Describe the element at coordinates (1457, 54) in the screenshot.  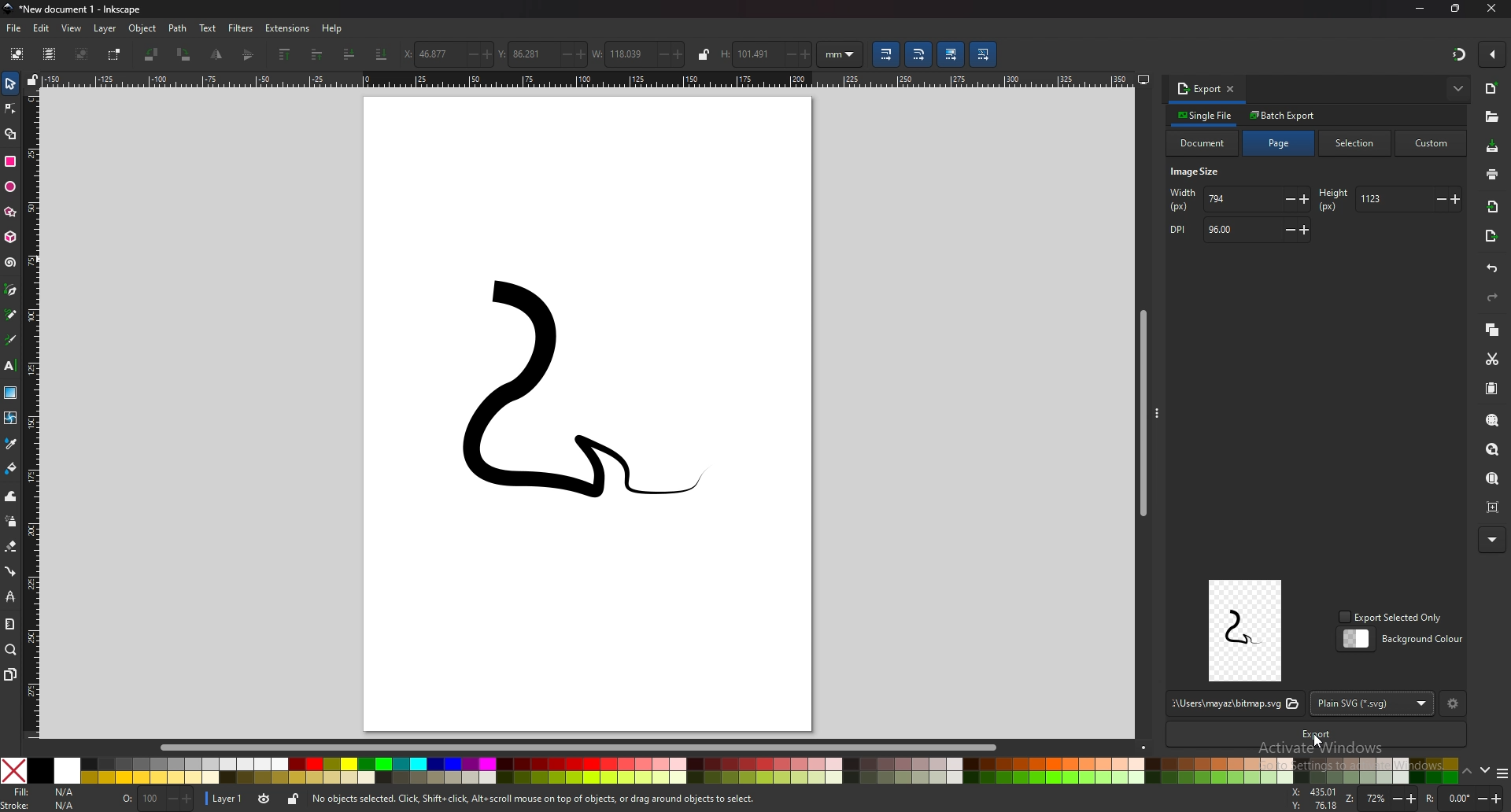
I see `snapping` at that location.